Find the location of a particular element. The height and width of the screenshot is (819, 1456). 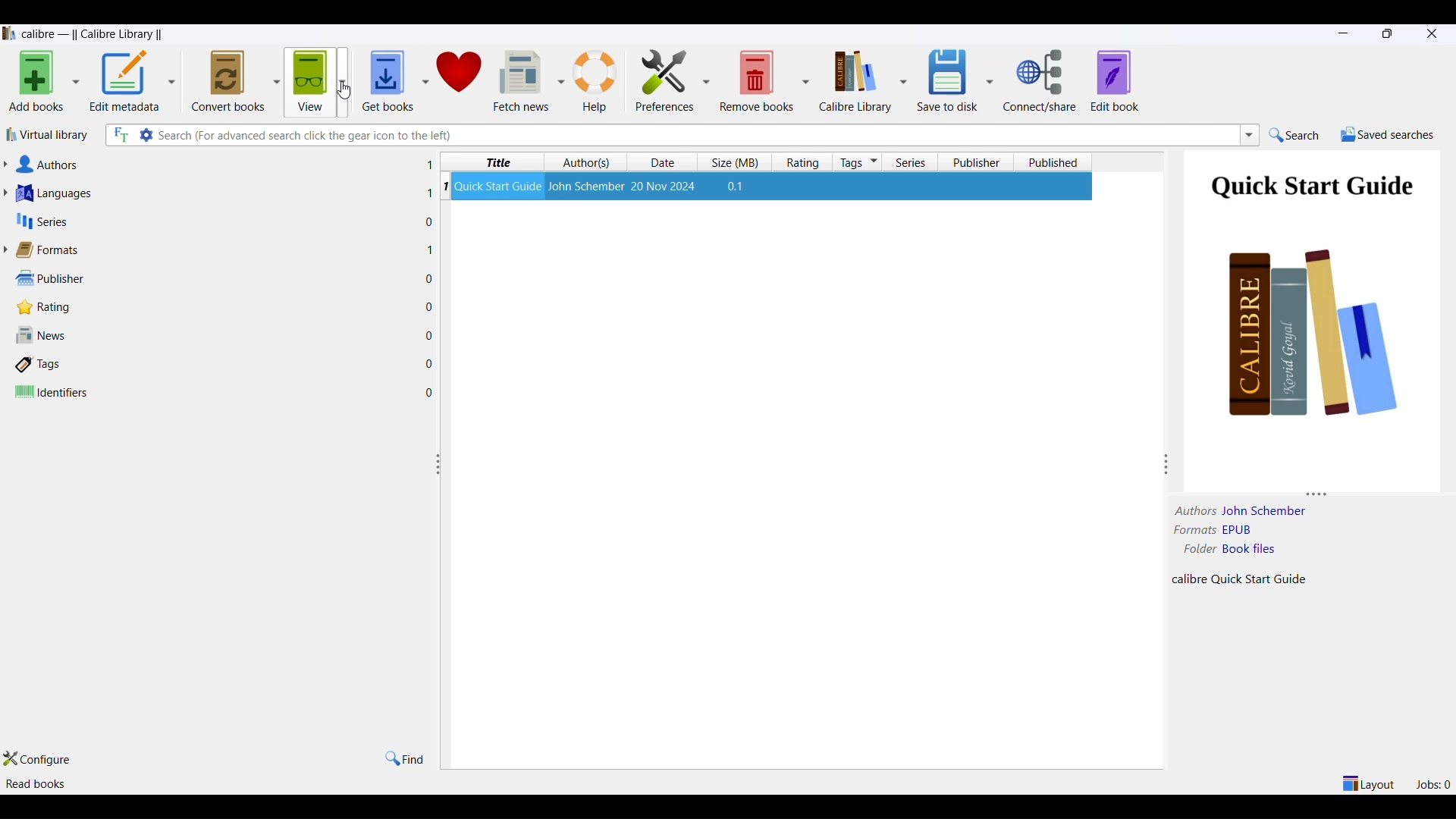

preferences is located at coordinates (665, 81).